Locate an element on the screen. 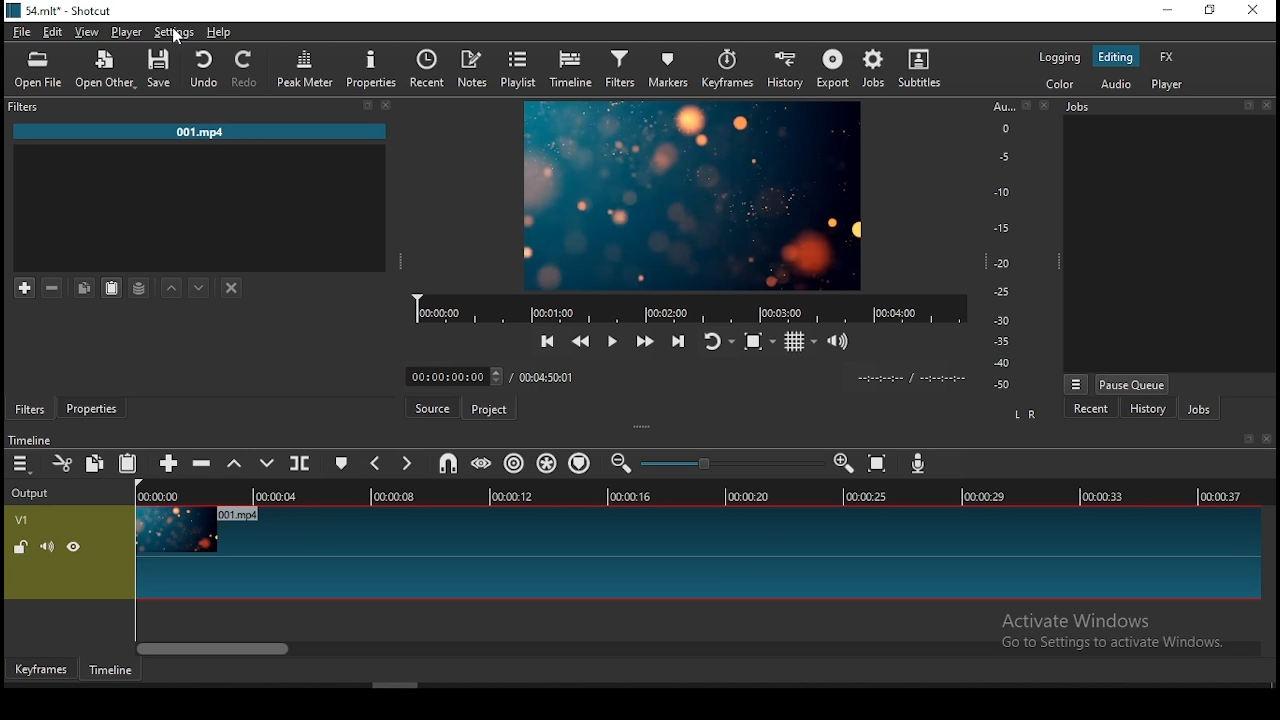 This screenshot has width=1280, height=720. 00:00:37 is located at coordinates (1224, 496).